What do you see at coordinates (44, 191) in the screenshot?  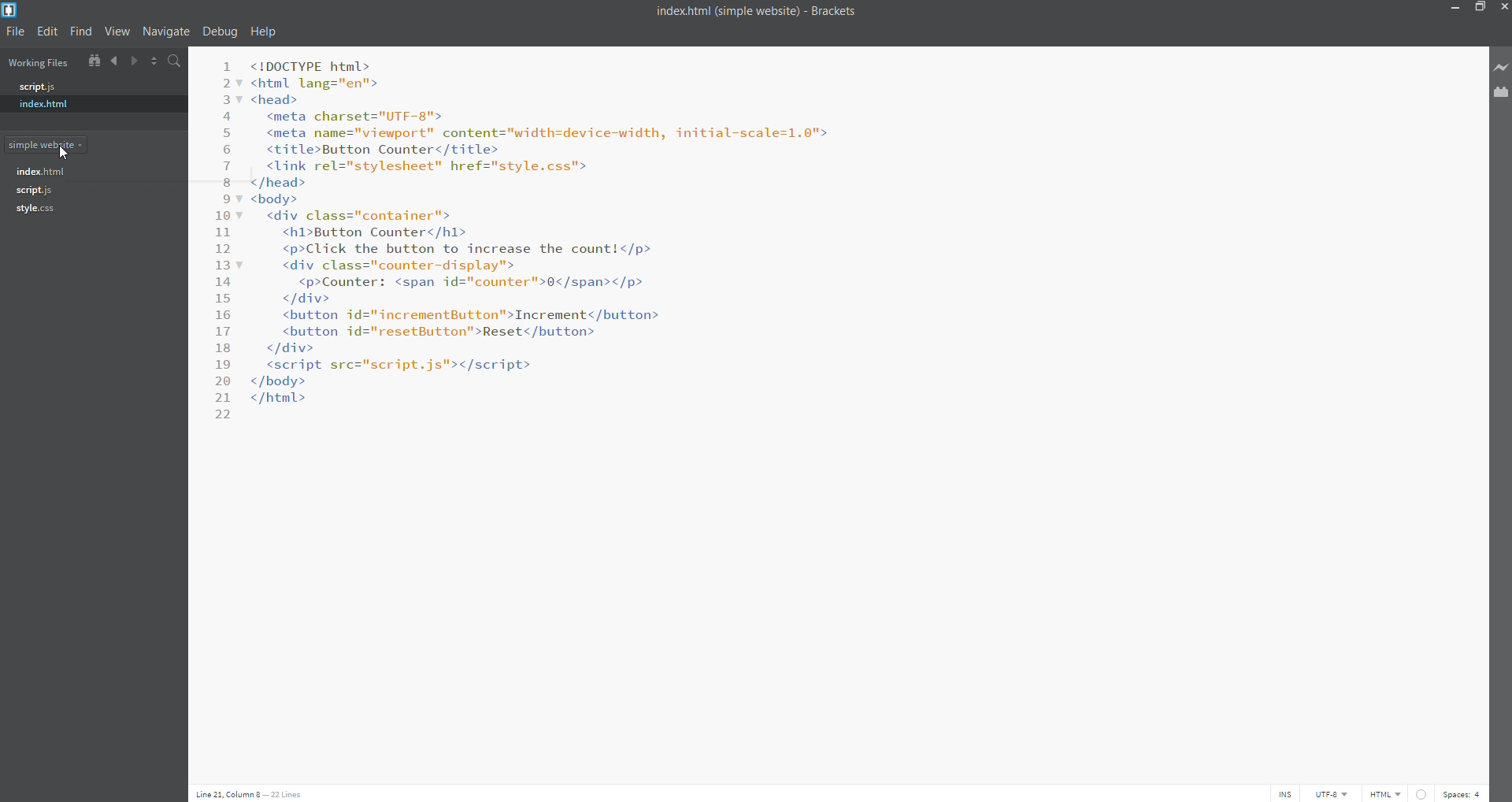 I see `script.js` at bounding box center [44, 191].